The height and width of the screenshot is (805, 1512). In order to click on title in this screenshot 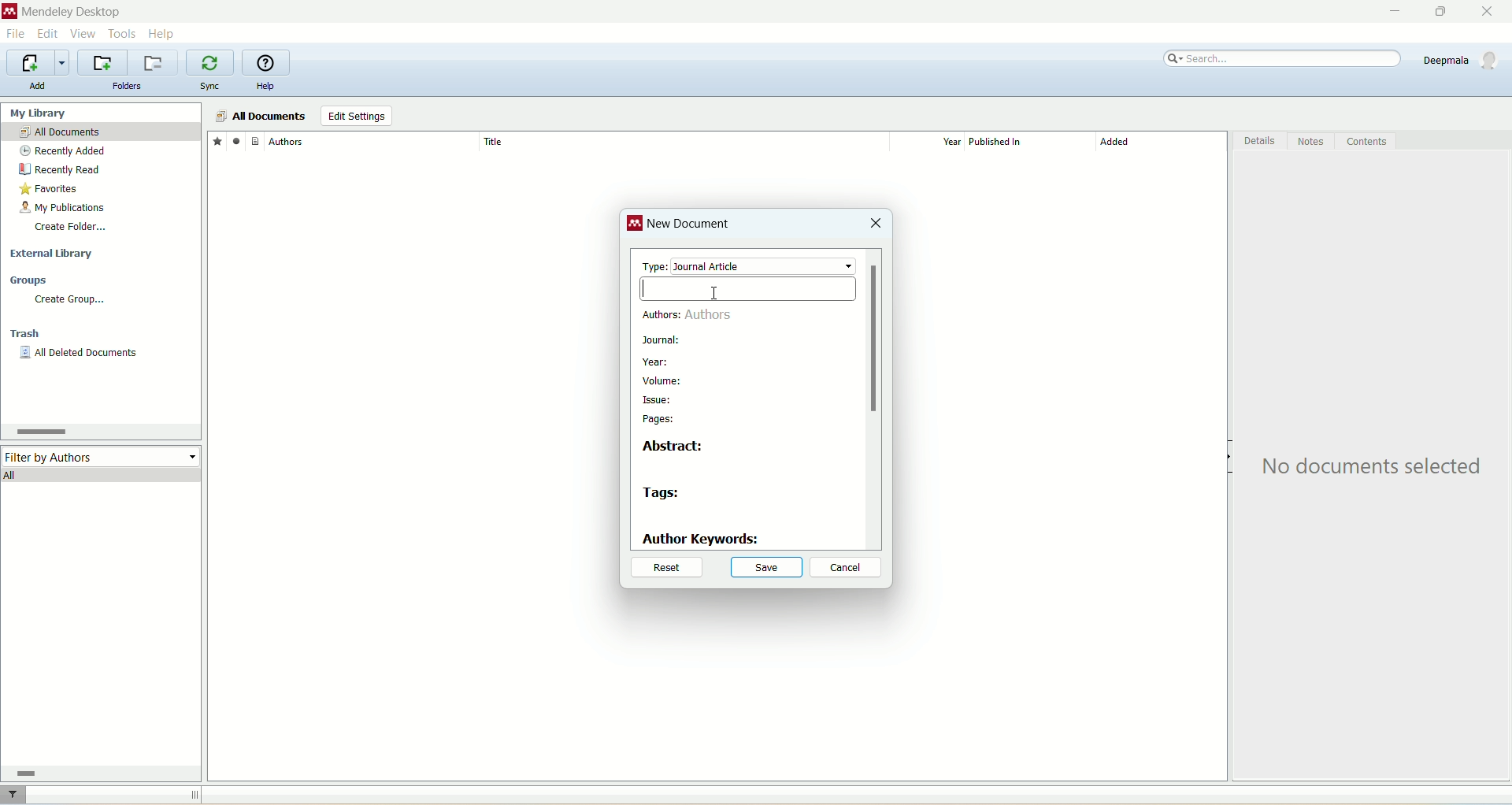, I will do `click(683, 141)`.